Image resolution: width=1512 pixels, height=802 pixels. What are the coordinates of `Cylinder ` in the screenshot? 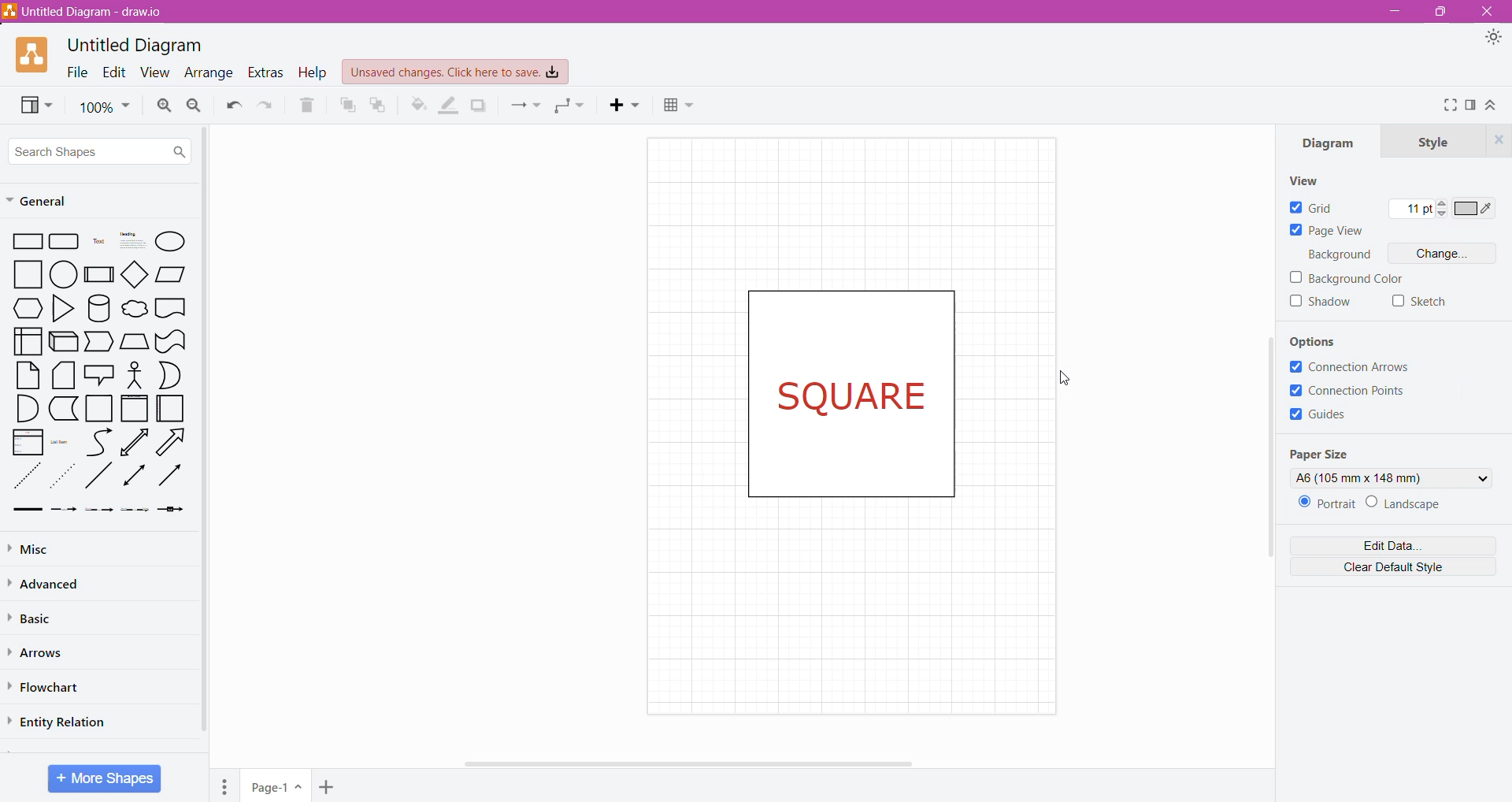 It's located at (99, 308).